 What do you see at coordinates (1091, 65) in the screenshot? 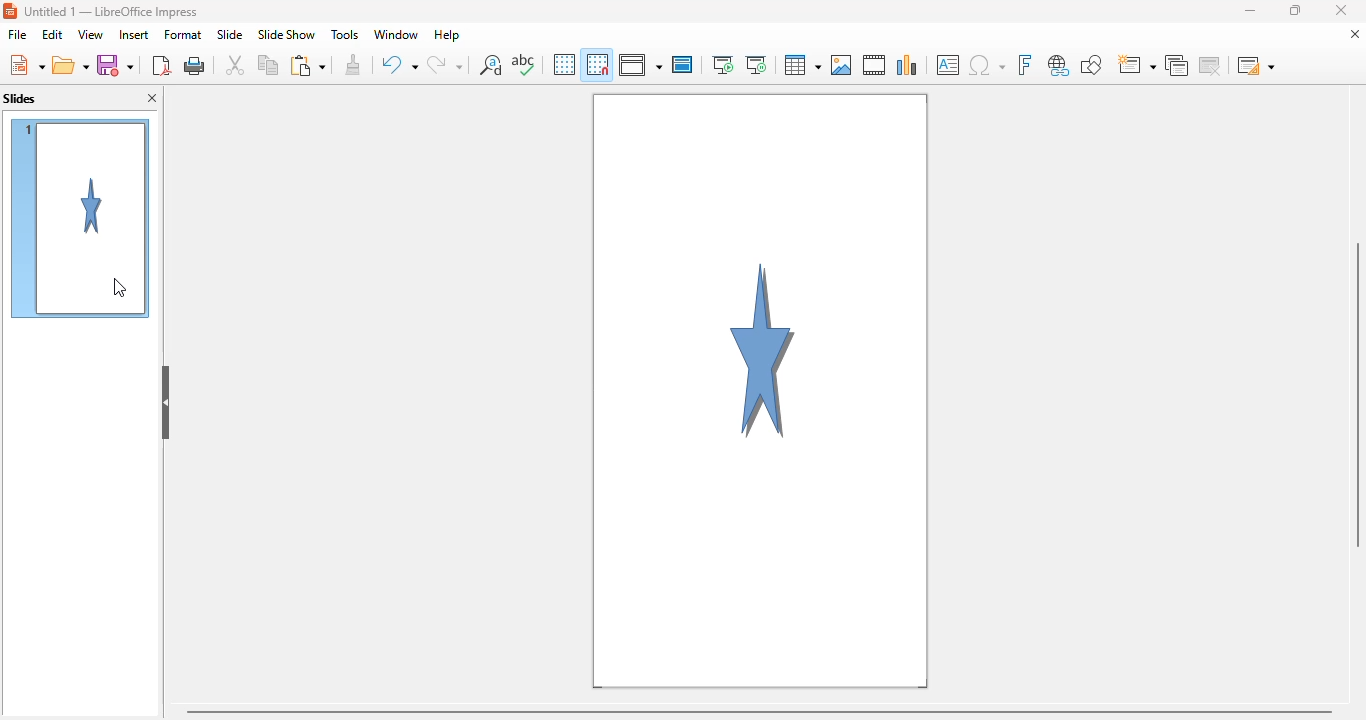
I see `show draw functions` at bounding box center [1091, 65].